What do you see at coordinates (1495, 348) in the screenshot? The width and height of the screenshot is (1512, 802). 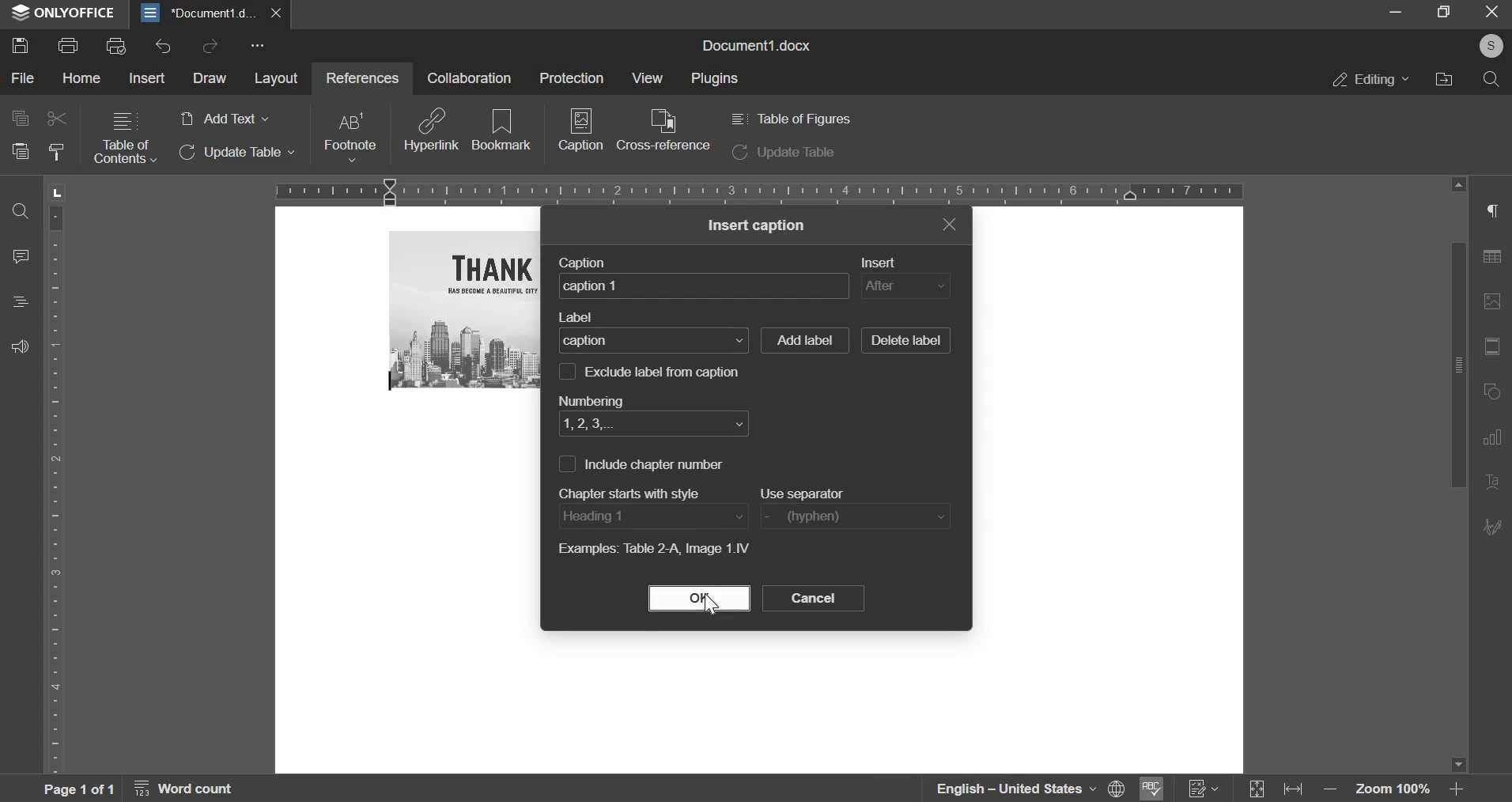 I see `fit` at bounding box center [1495, 348].